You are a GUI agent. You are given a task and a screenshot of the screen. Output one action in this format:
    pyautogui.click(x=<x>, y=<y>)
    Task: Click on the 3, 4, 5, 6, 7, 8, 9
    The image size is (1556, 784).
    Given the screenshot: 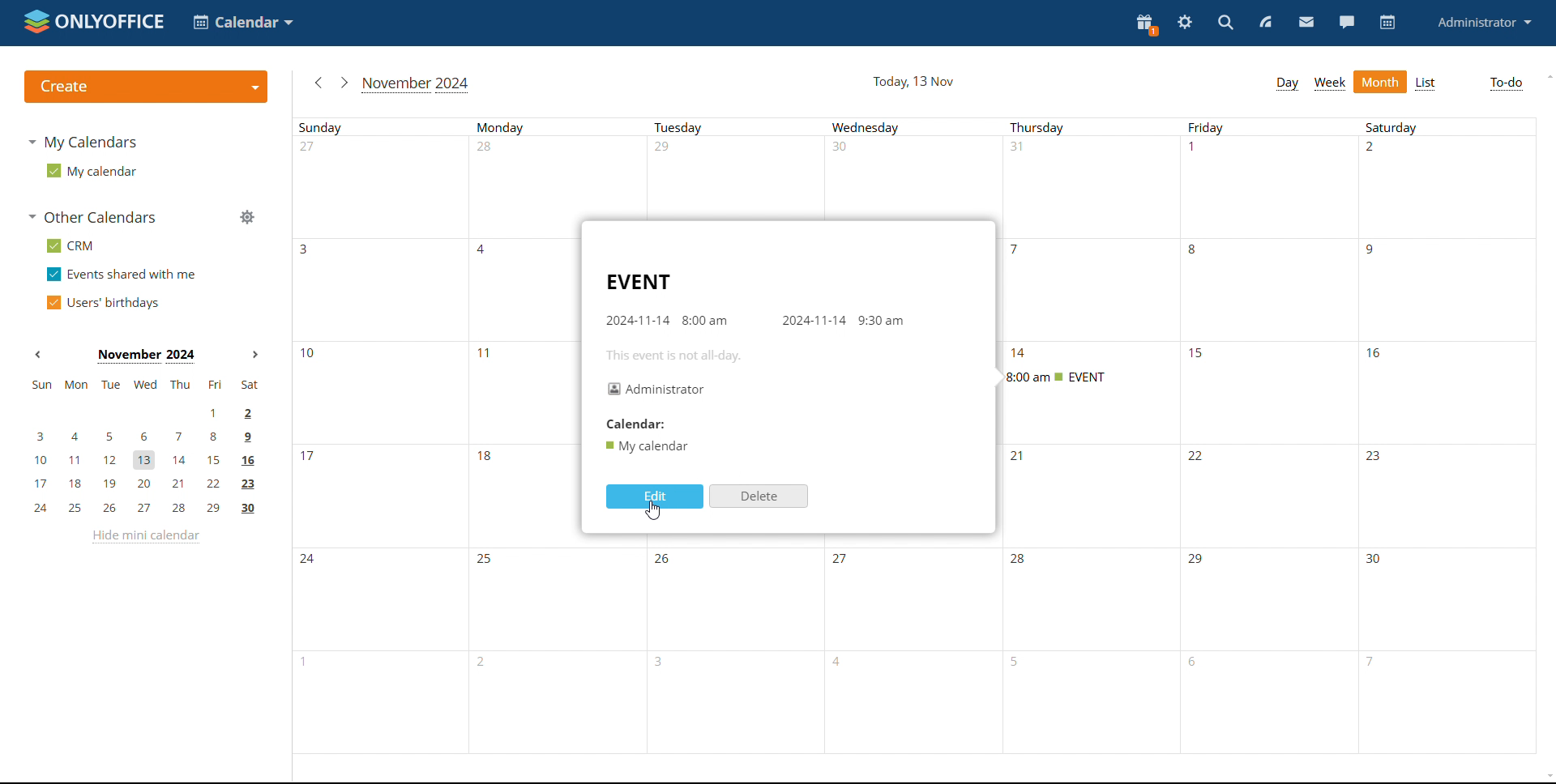 What is the action you would take?
    pyautogui.click(x=139, y=436)
    